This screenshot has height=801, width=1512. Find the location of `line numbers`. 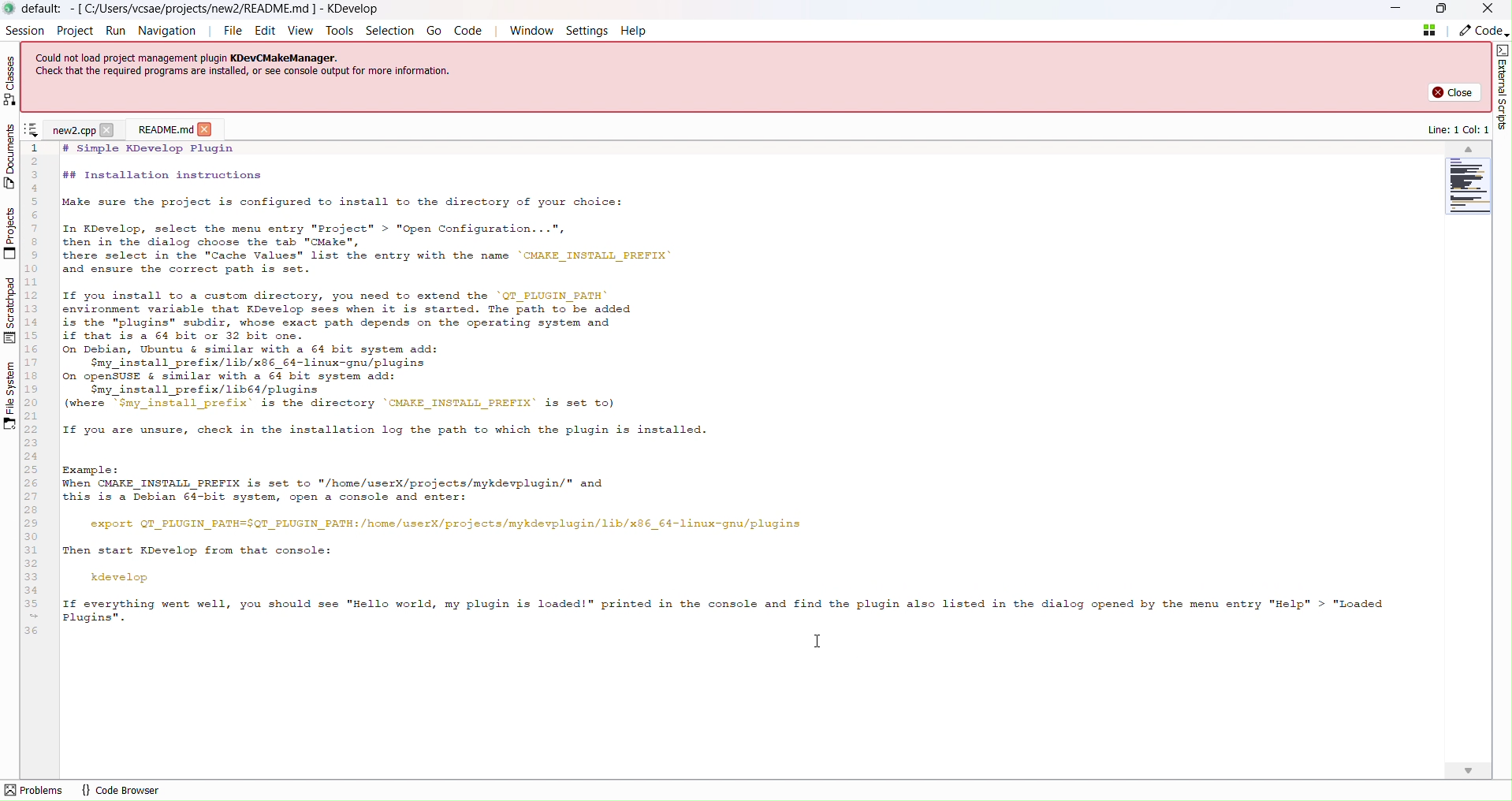

line numbers is located at coordinates (37, 389).